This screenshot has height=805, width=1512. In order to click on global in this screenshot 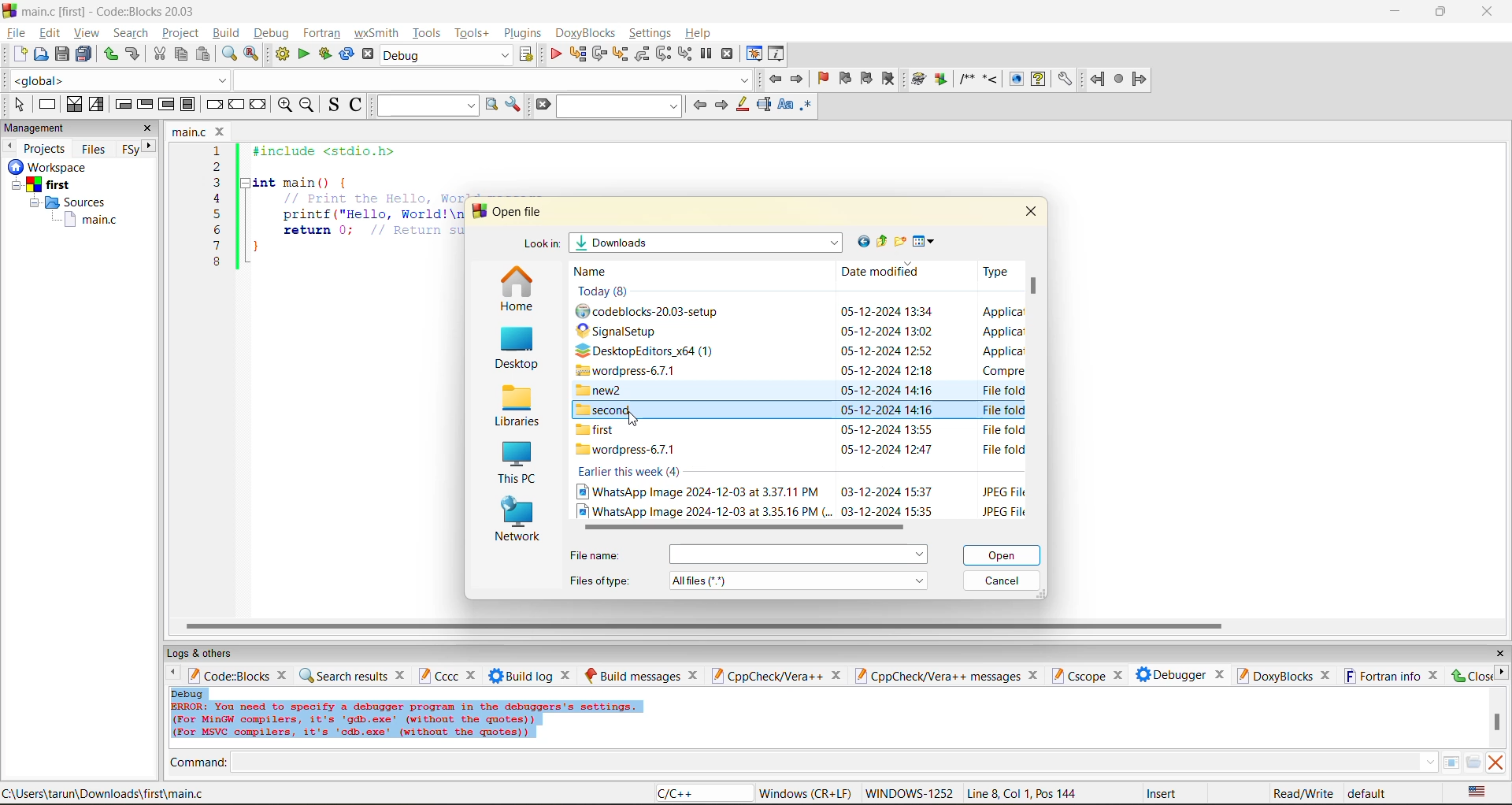, I will do `click(117, 80)`.